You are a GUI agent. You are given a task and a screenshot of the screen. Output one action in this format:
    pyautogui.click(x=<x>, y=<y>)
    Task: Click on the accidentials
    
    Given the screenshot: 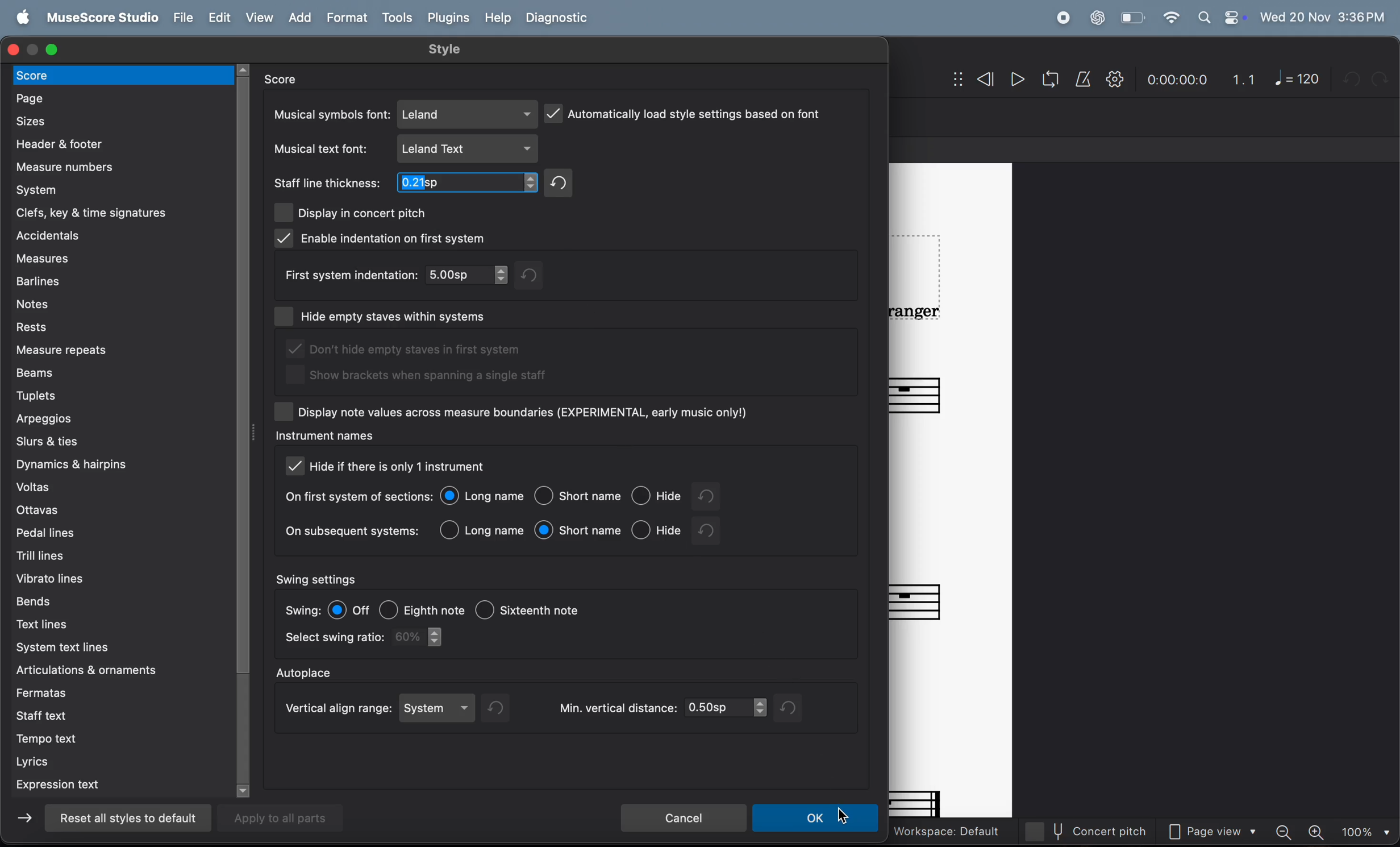 What is the action you would take?
    pyautogui.click(x=111, y=235)
    